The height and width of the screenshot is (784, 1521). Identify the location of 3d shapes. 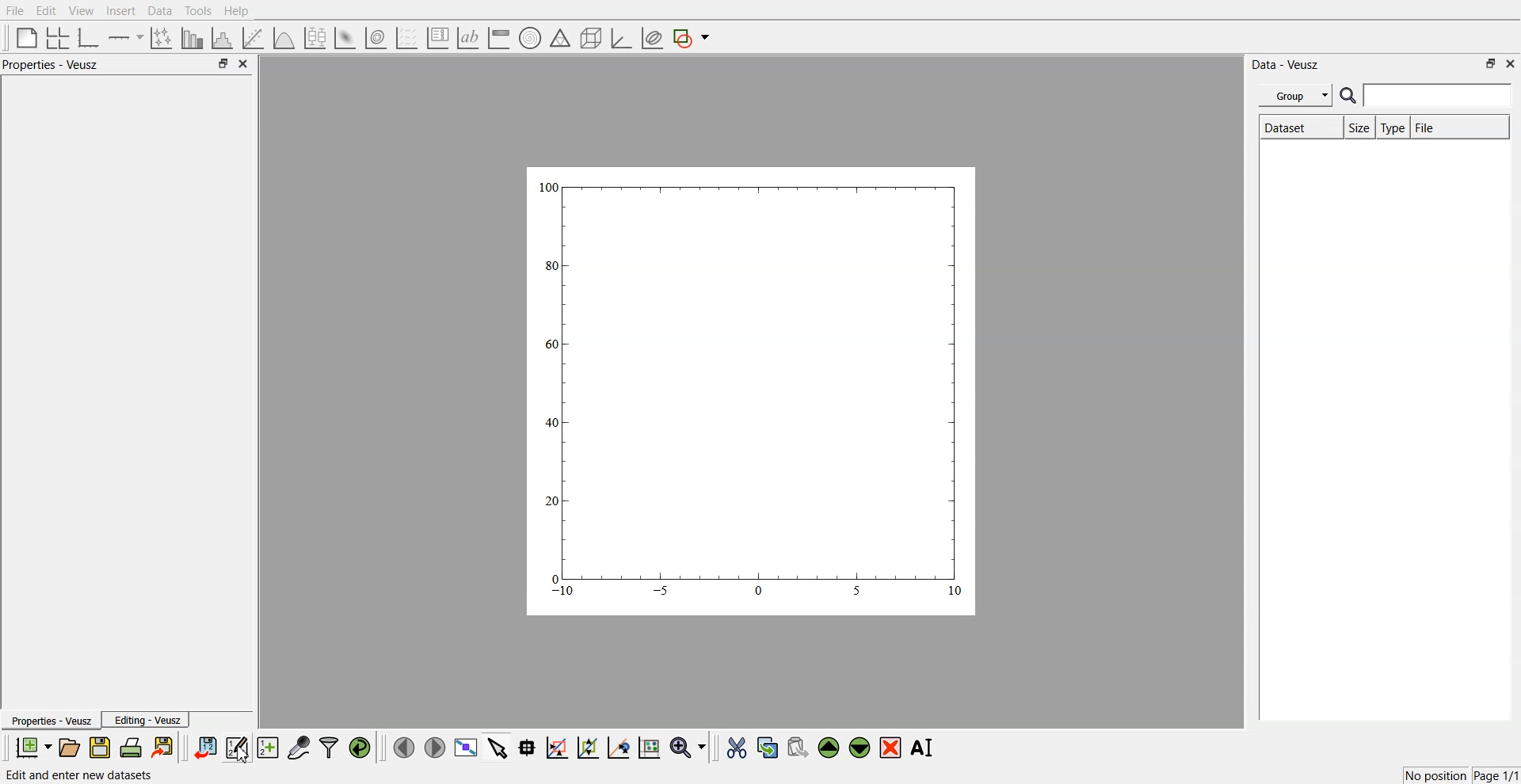
(588, 38).